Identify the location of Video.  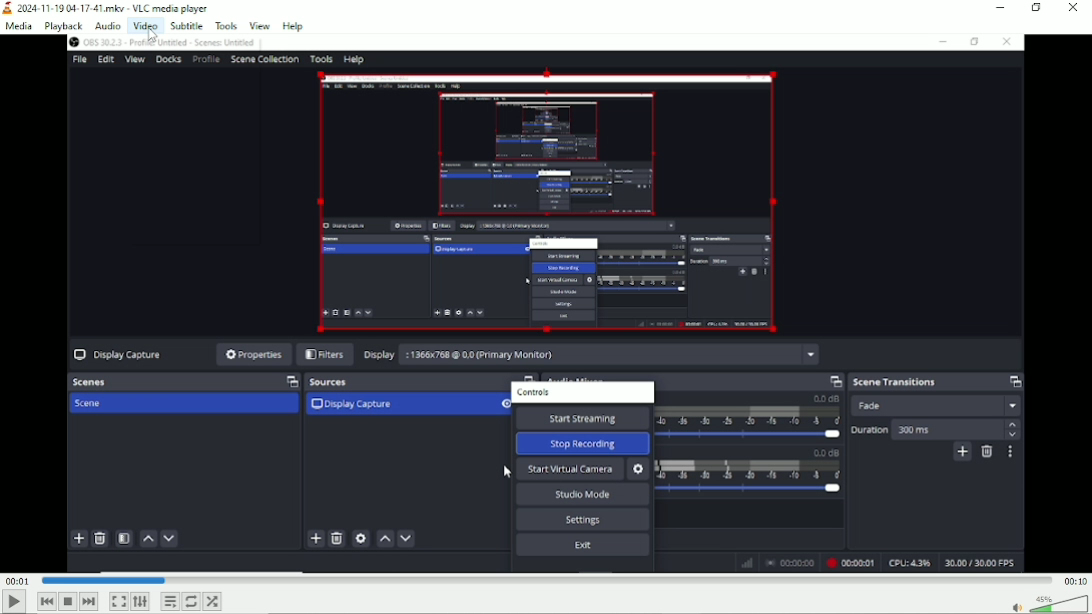
(547, 304).